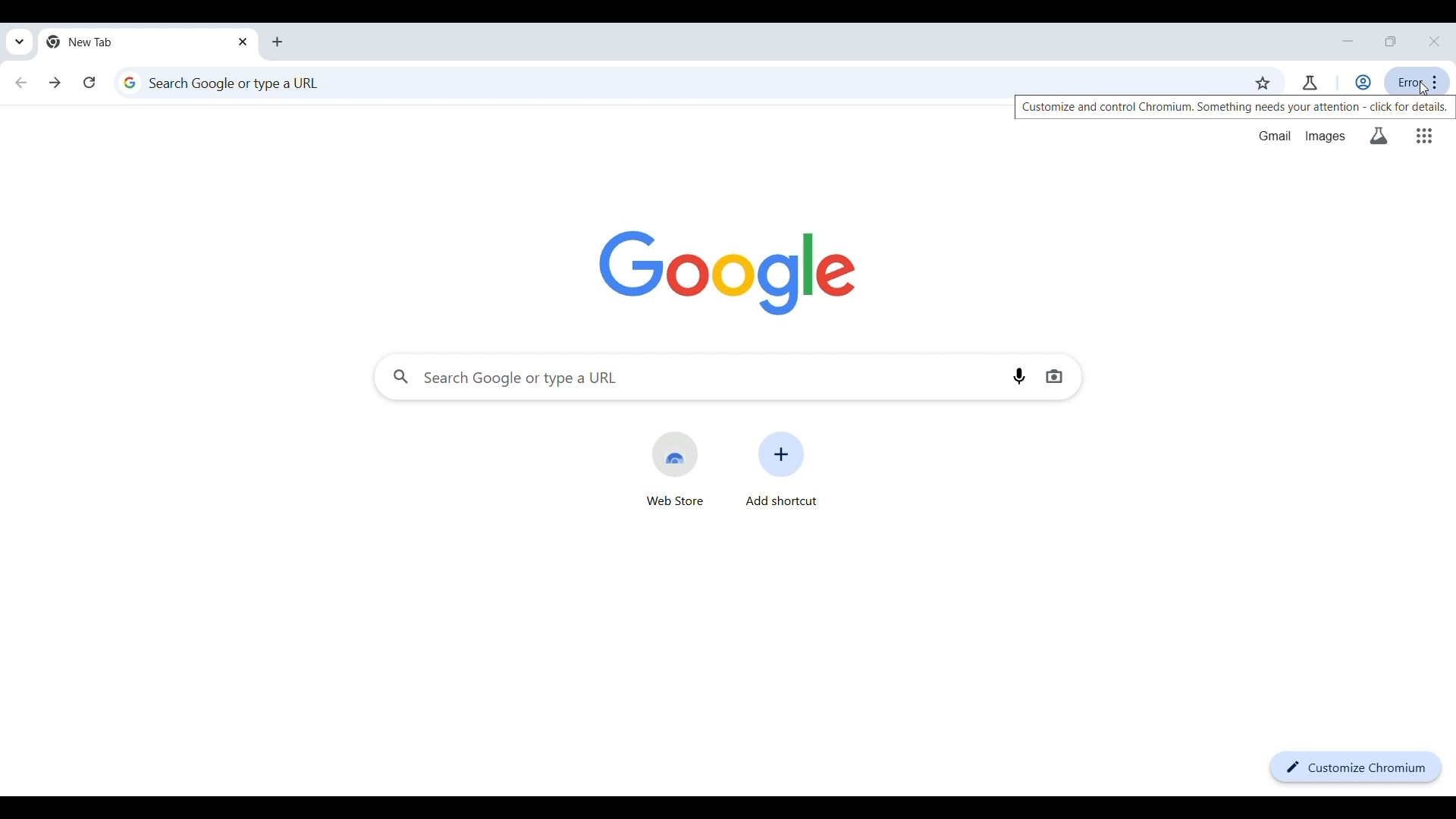  I want to click on error, so click(1417, 82).